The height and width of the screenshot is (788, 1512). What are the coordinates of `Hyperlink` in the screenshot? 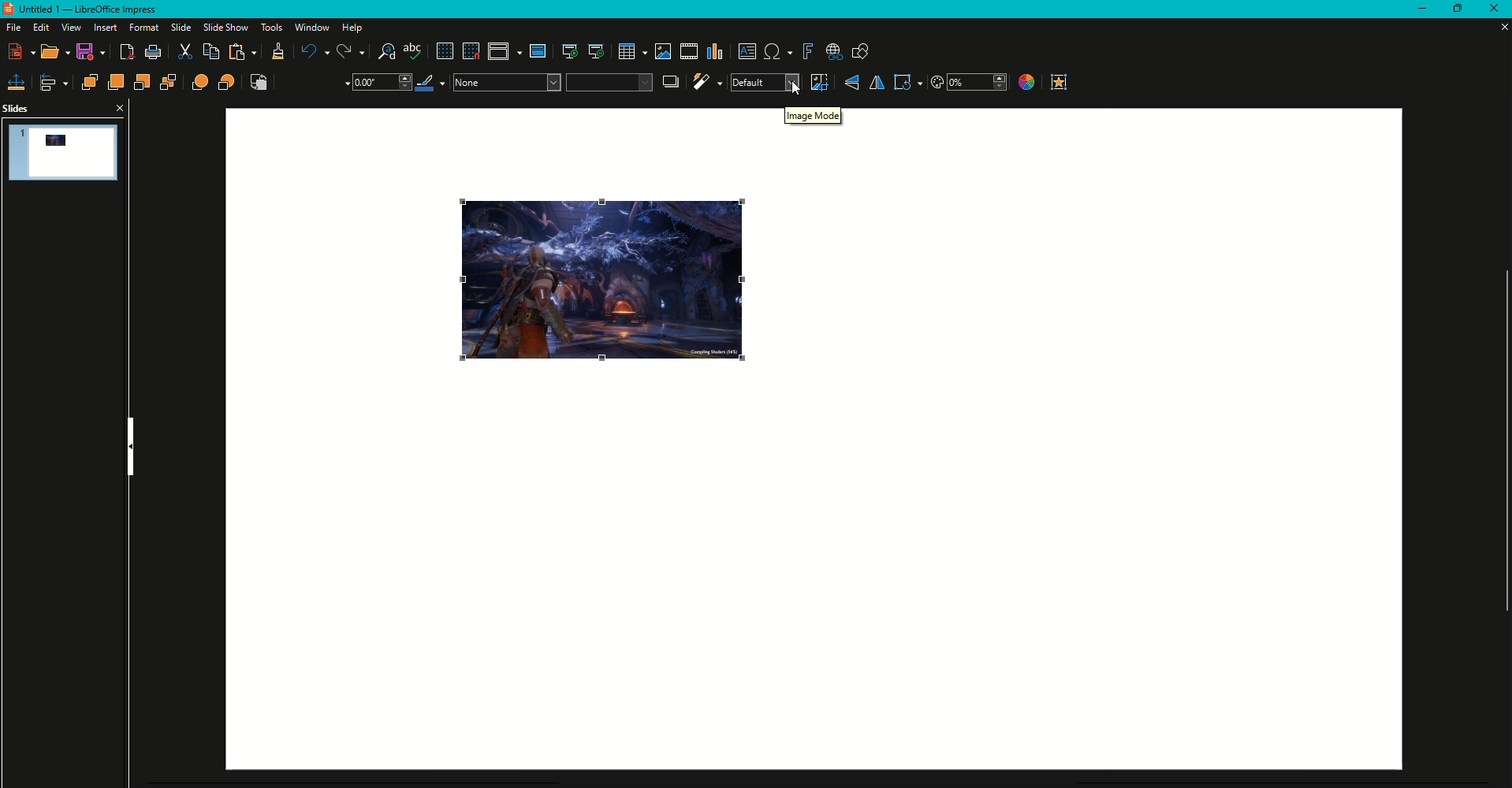 It's located at (834, 53).